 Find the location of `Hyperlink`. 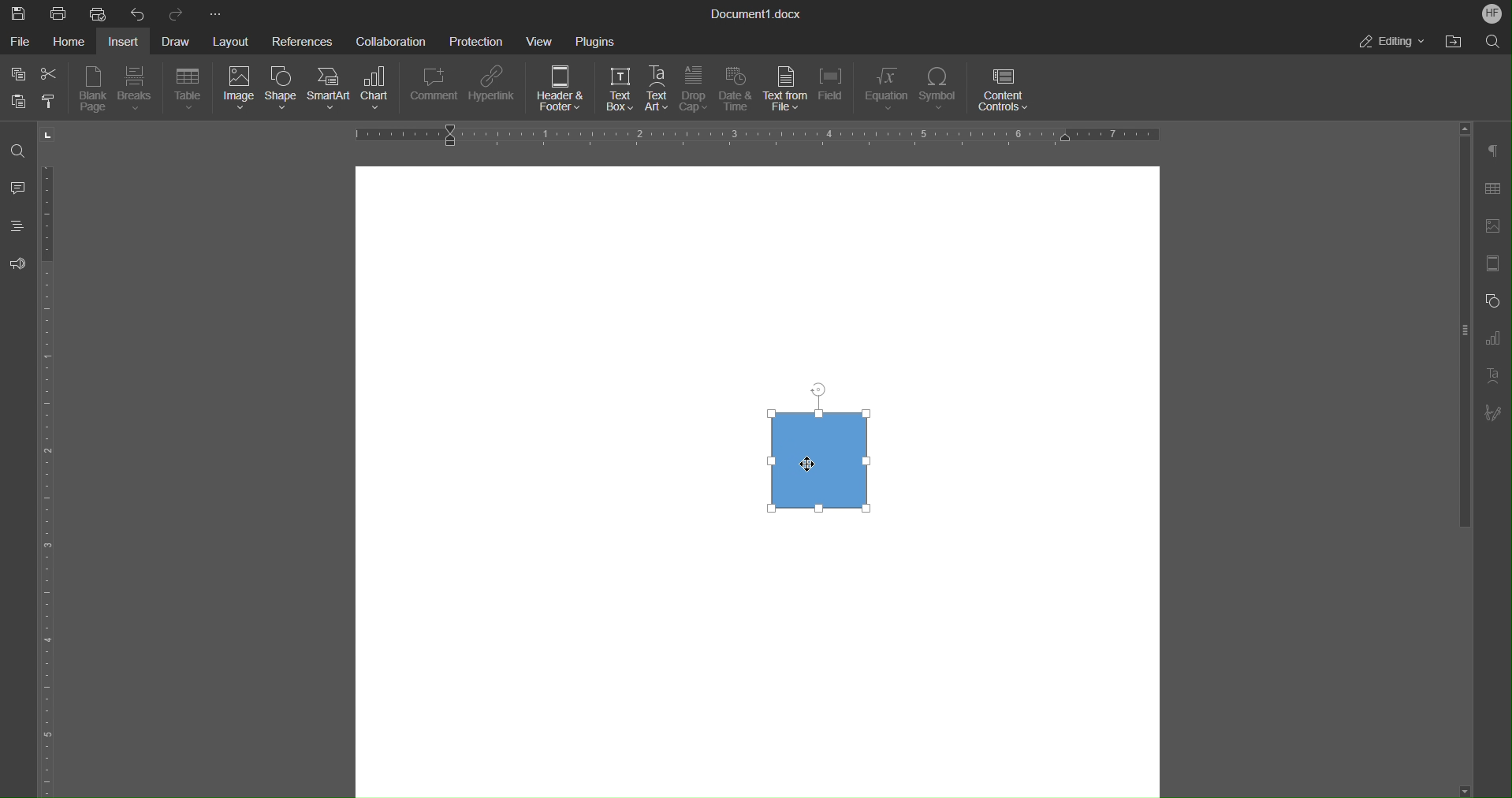

Hyperlink is located at coordinates (495, 91).